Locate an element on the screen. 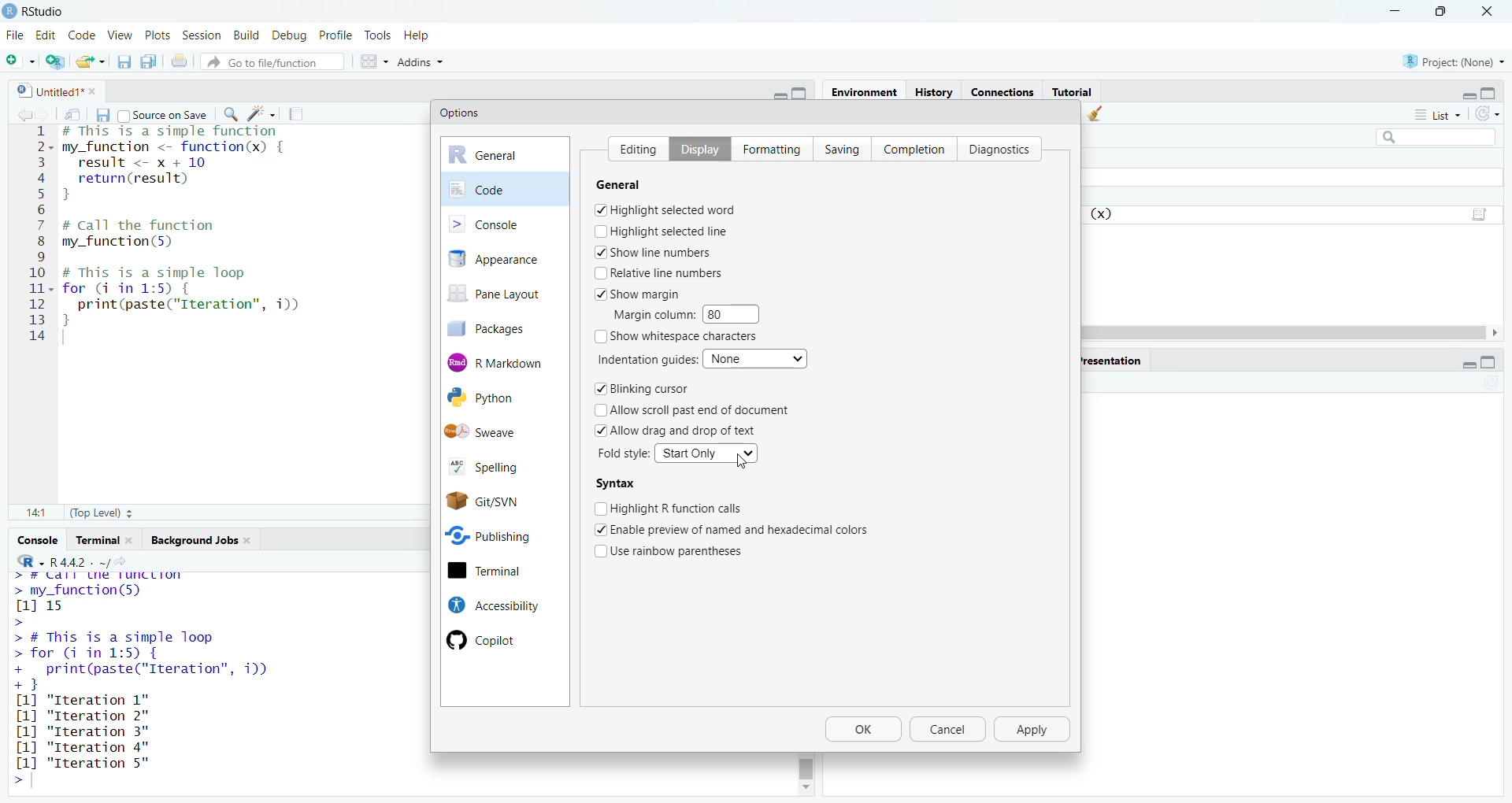 Image resolution: width=1512 pixels, height=803 pixels. typing cursor is located at coordinates (69, 339).